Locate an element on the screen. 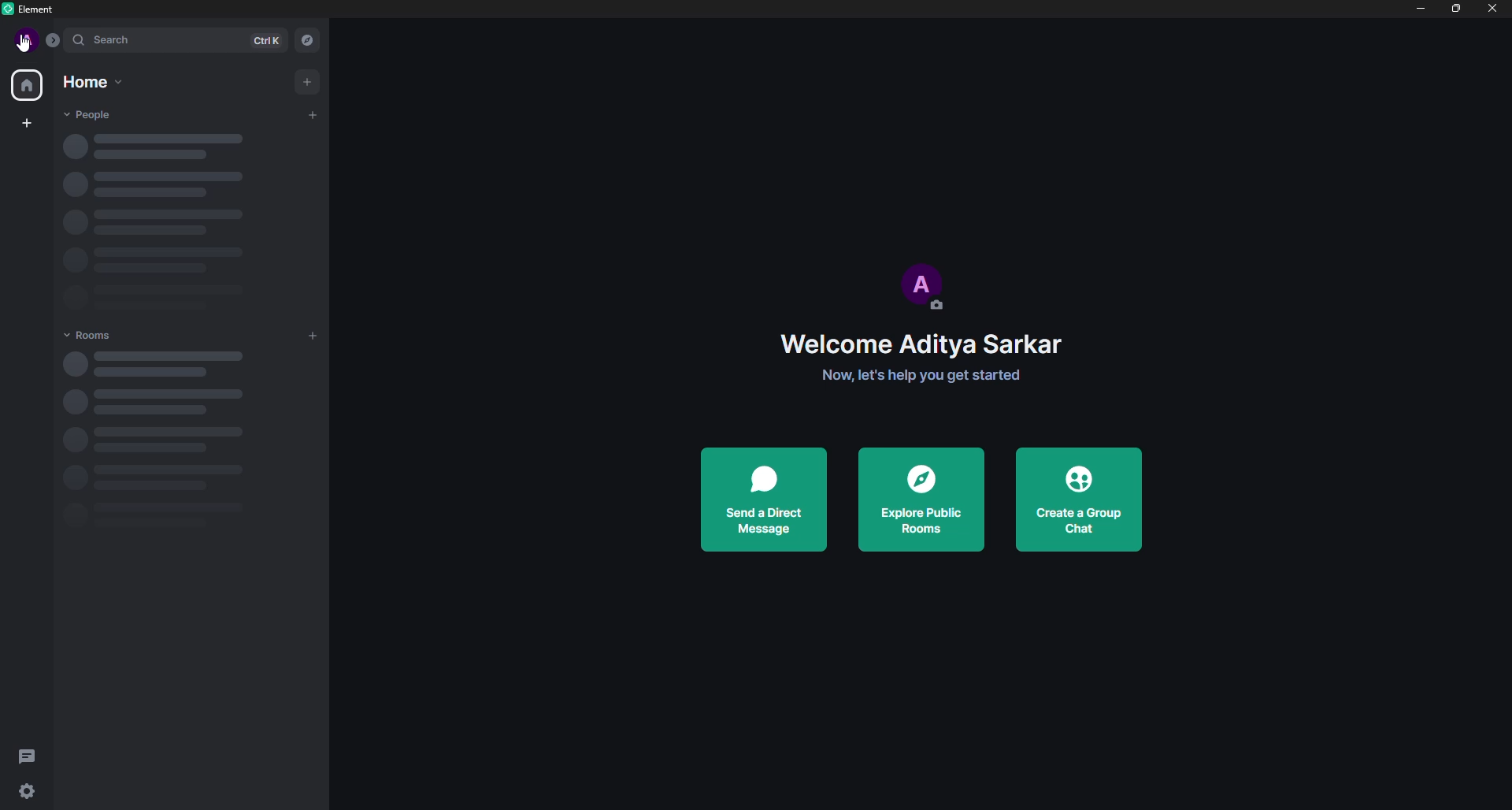 Image resolution: width=1512 pixels, height=810 pixels. Add room is located at coordinates (318, 336).